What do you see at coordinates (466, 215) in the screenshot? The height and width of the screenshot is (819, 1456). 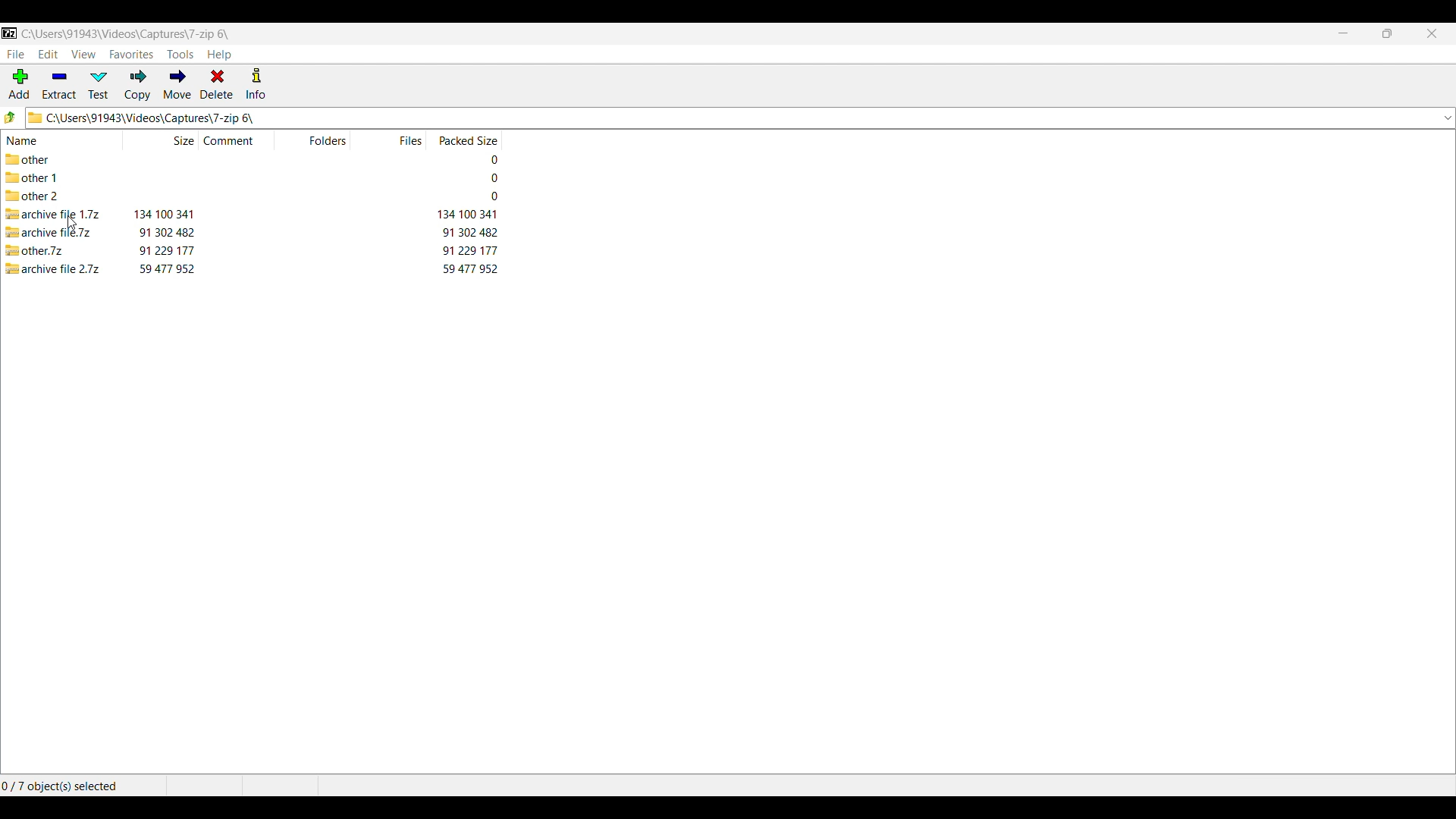 I see `packed size` at bounding box center [466, 215].